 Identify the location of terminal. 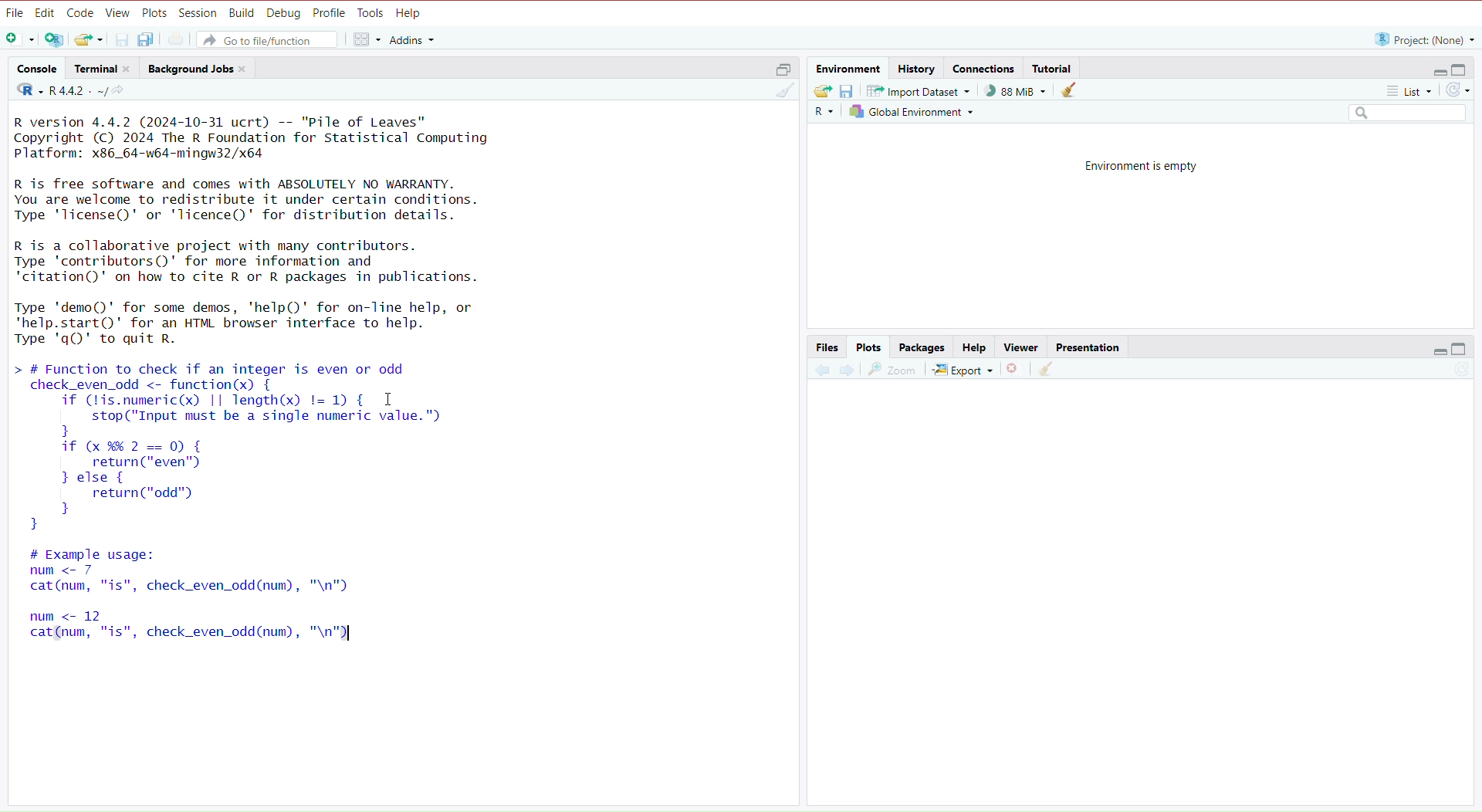
(106, 69).